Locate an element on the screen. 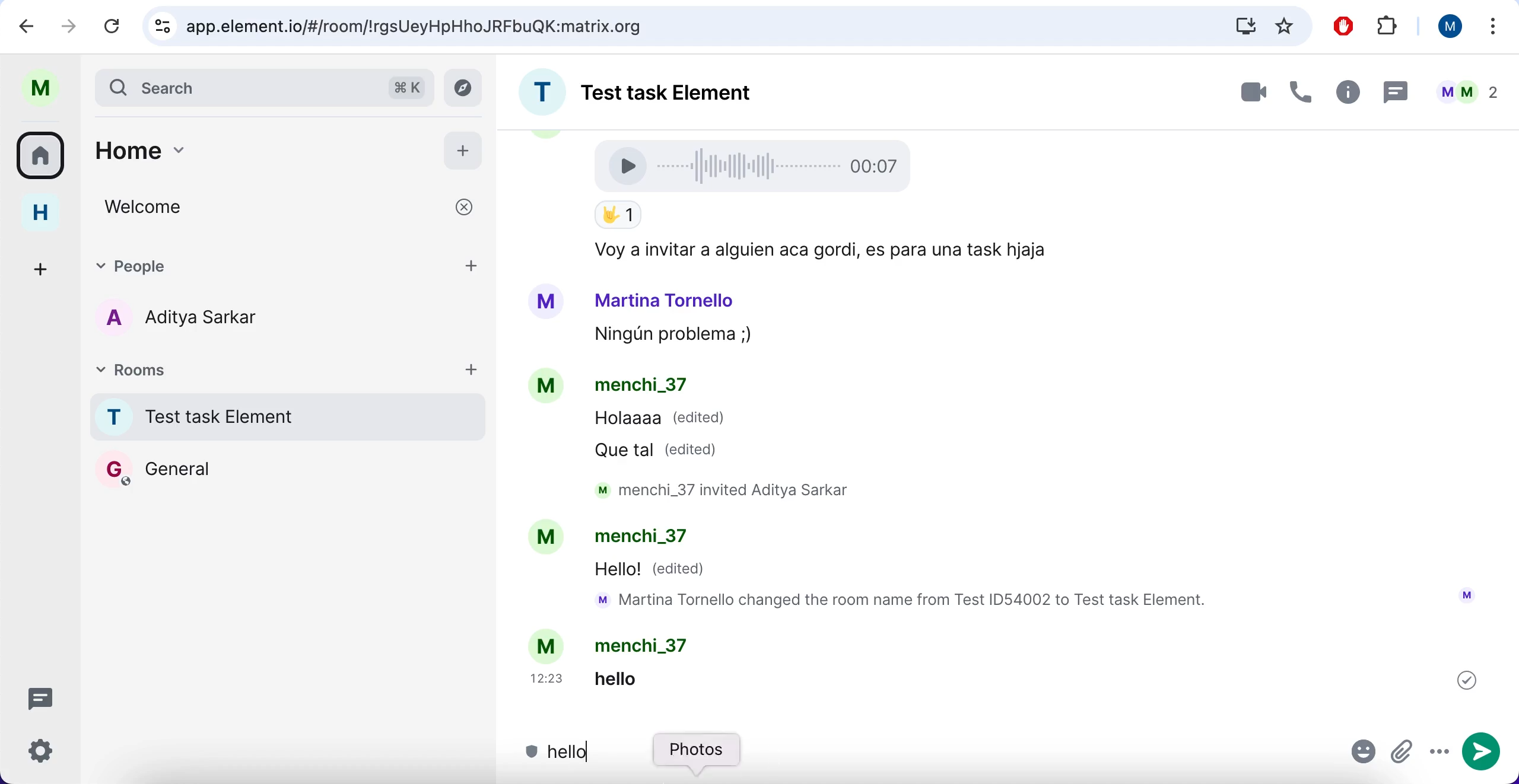  rooms is located at coordinates (45, 154).